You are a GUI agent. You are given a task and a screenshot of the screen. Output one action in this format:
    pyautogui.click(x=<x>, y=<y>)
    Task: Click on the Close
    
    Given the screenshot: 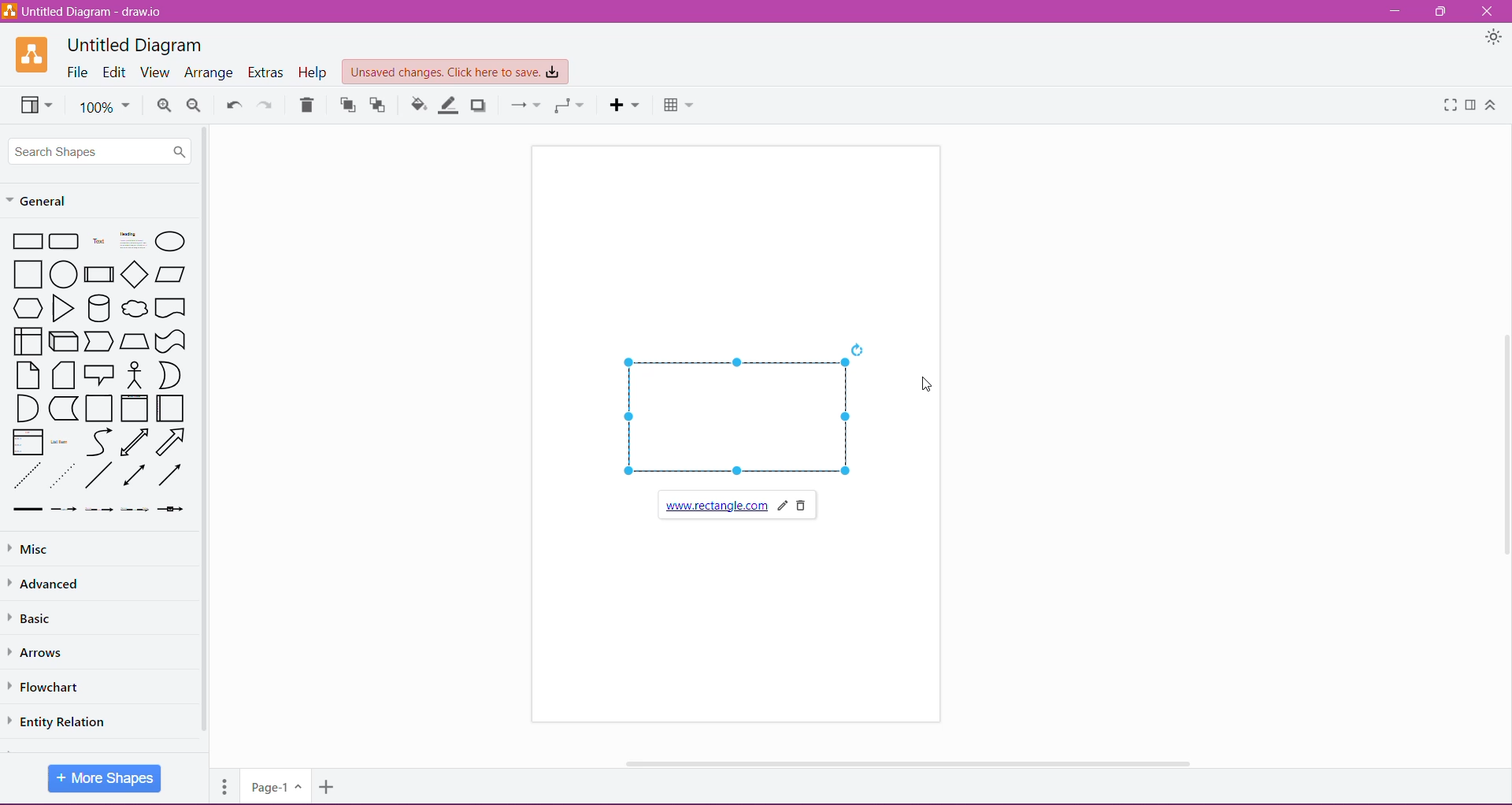 What is the action you would take?
    pyautogui.click(x=1486, y=11)
    